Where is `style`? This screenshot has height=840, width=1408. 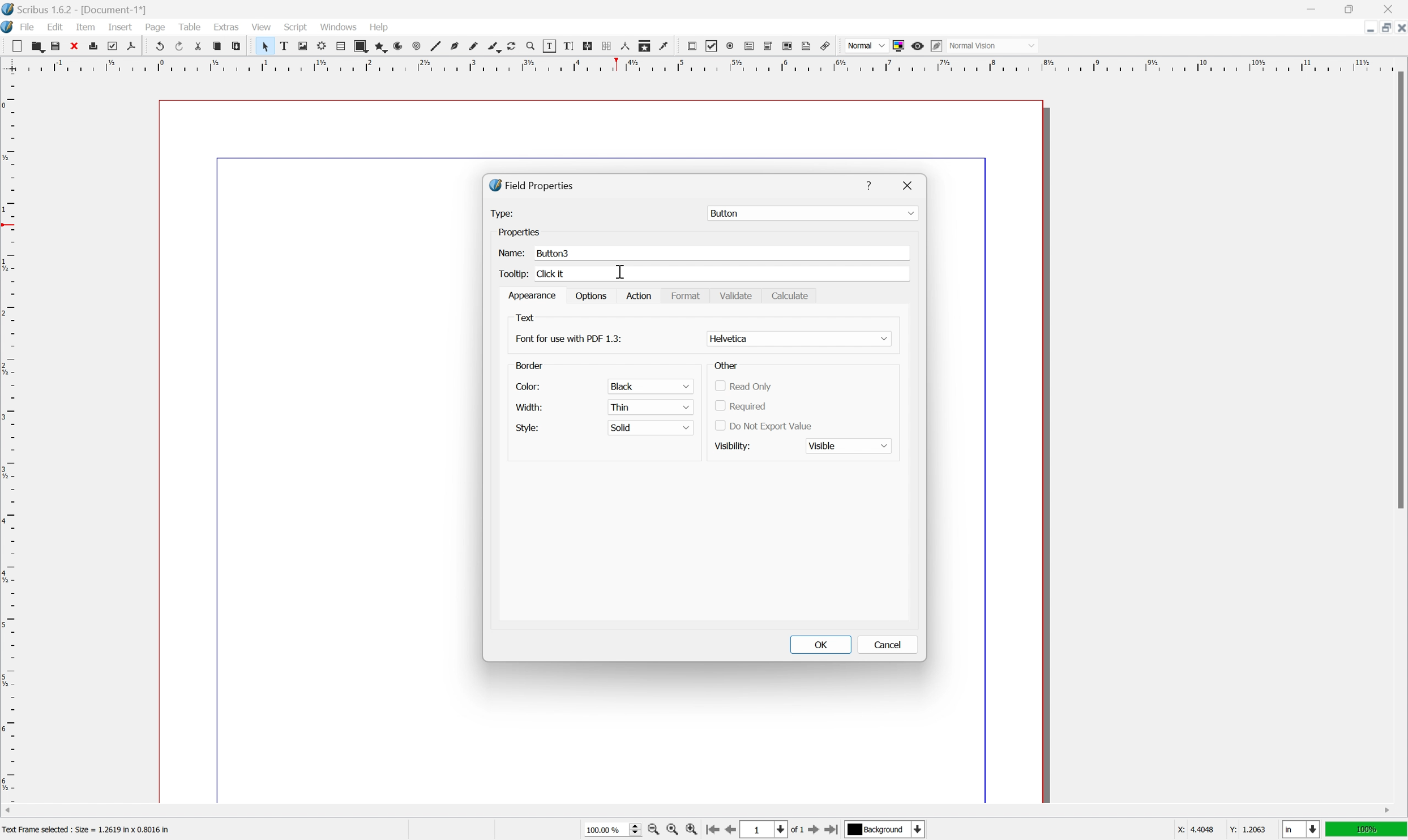 style is located at coordinates (527, 429).